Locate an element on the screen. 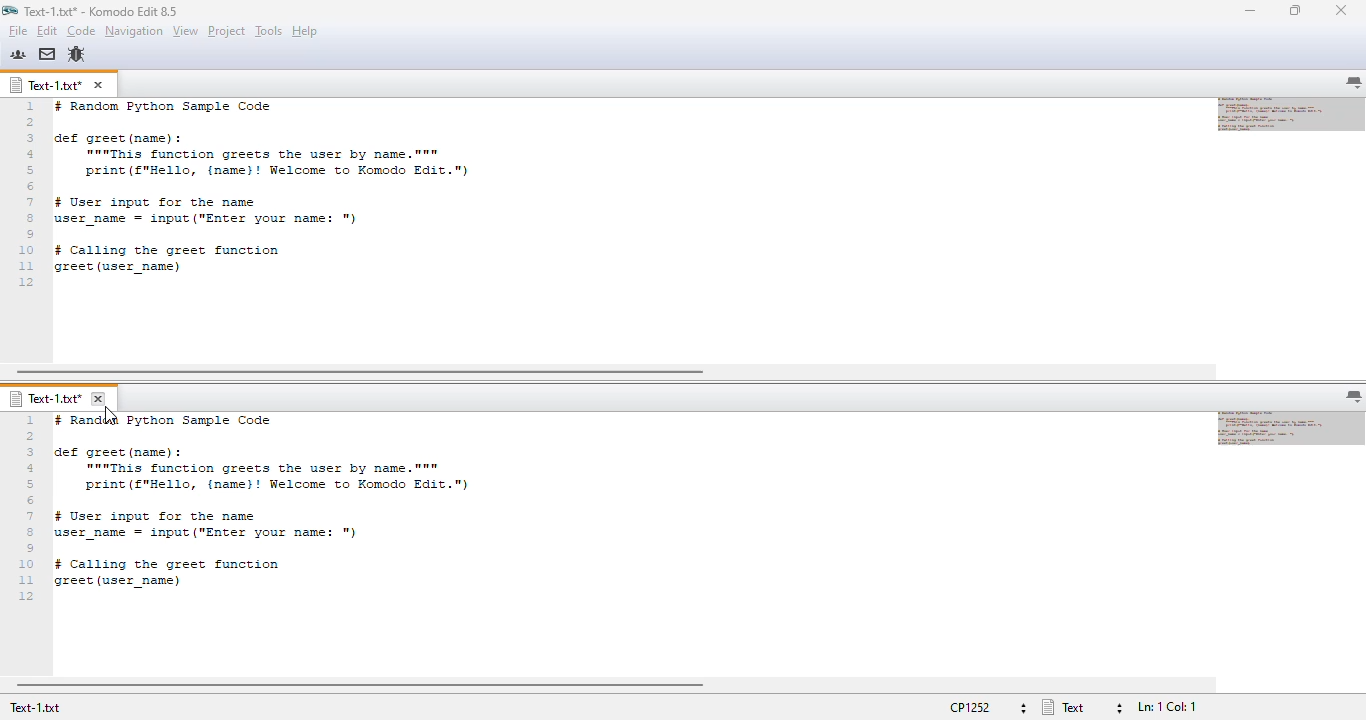  tools is located at coordinates (269, 31).